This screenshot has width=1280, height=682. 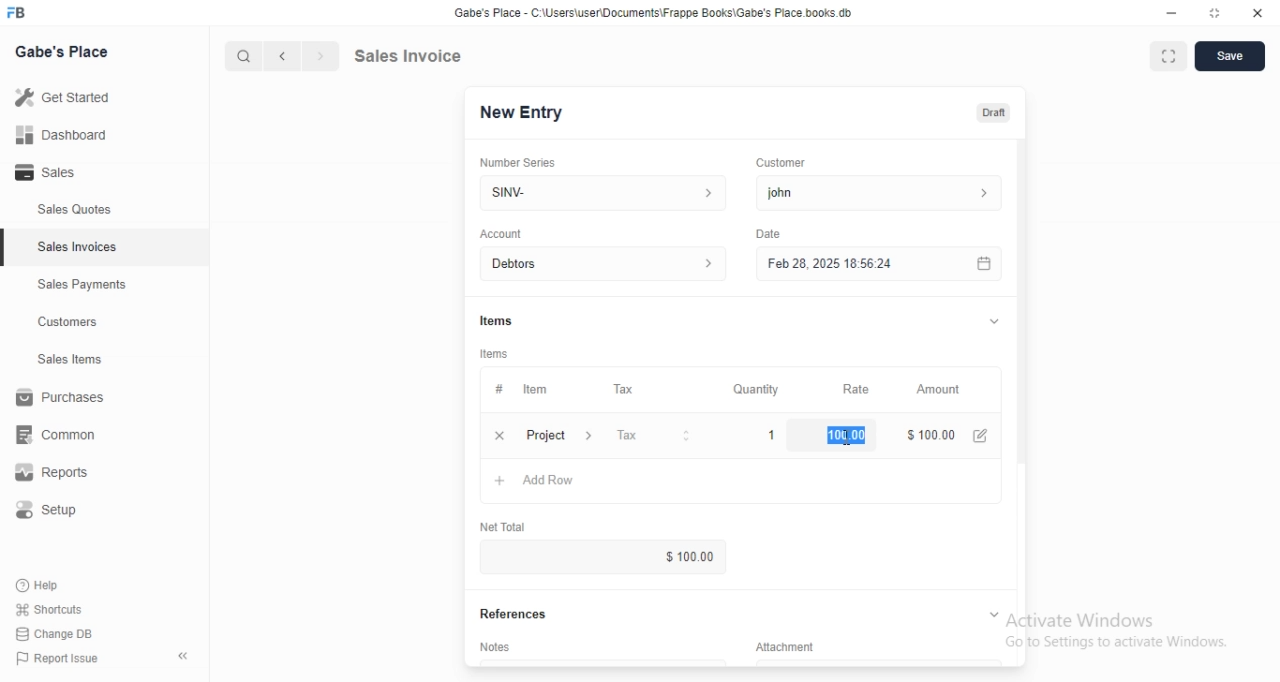 I want to click on 1, so click(x=773, y=434).